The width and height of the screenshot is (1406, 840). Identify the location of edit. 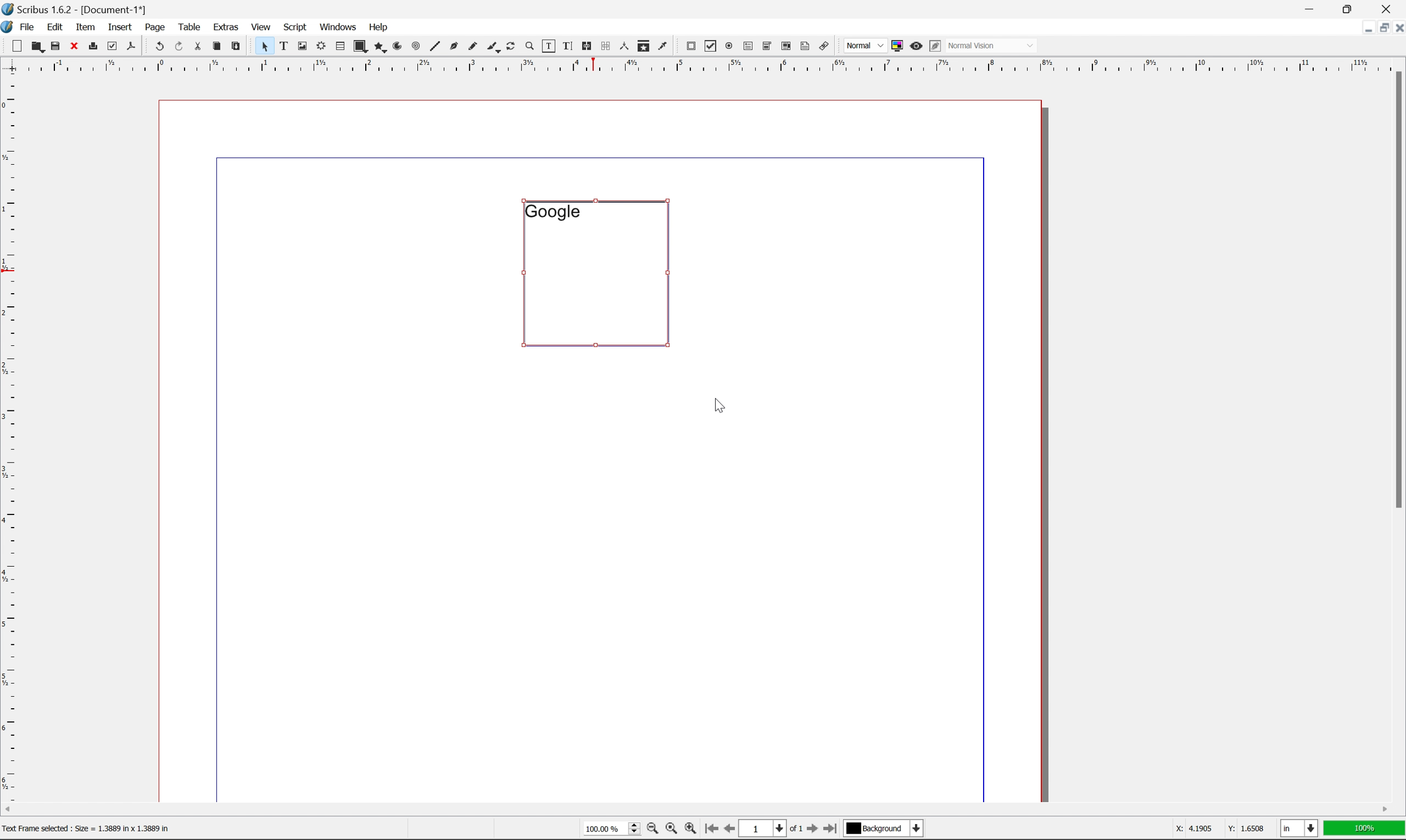
(57, 27).